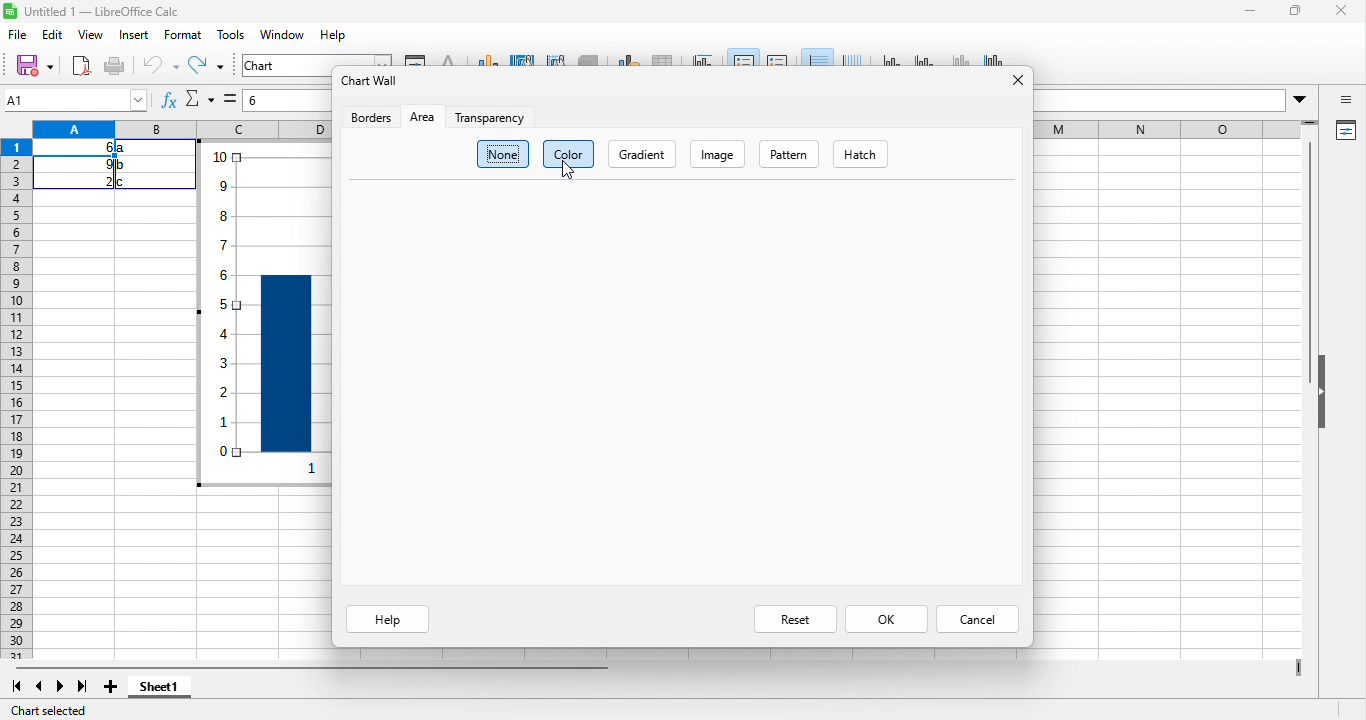 This screenshot has width=1366, height=720. Describe the element at coordinates (228, 98) in the screenshot. I see `select` at that location.